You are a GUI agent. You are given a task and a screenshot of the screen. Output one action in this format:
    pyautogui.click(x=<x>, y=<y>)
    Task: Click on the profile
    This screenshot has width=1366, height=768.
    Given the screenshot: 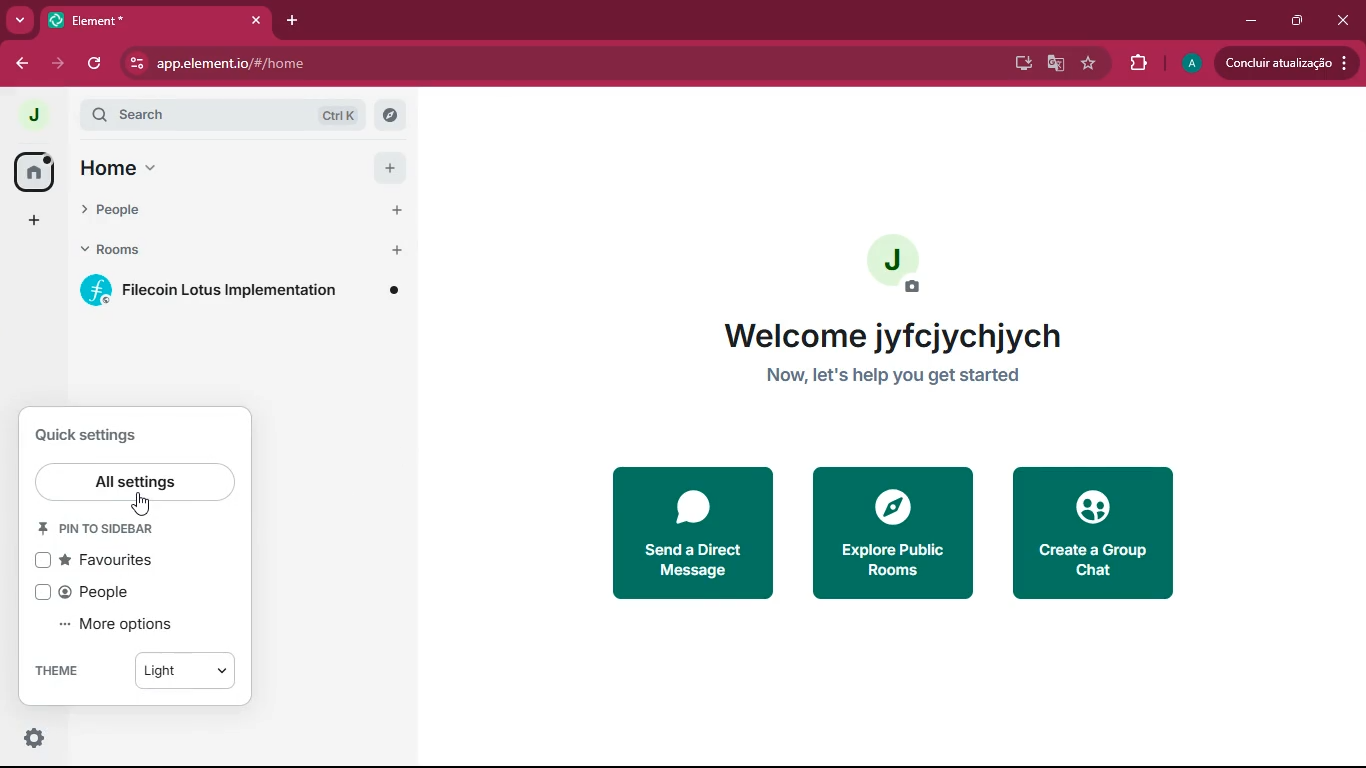 What is the action you would take?
    pyautogui.click(x=34, y=115)
    